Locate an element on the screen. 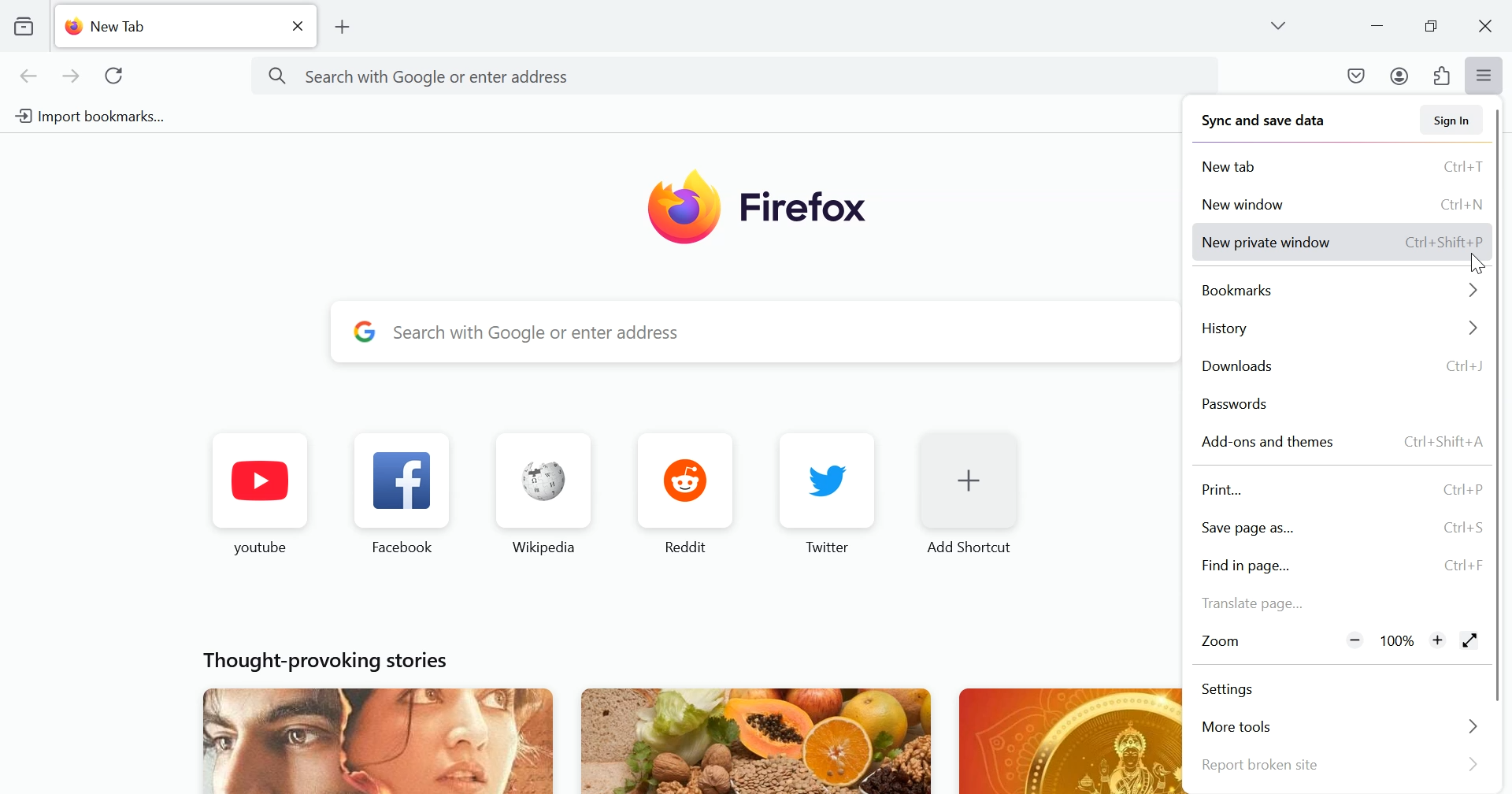  display full screen is located at coordinates (1469, 640).